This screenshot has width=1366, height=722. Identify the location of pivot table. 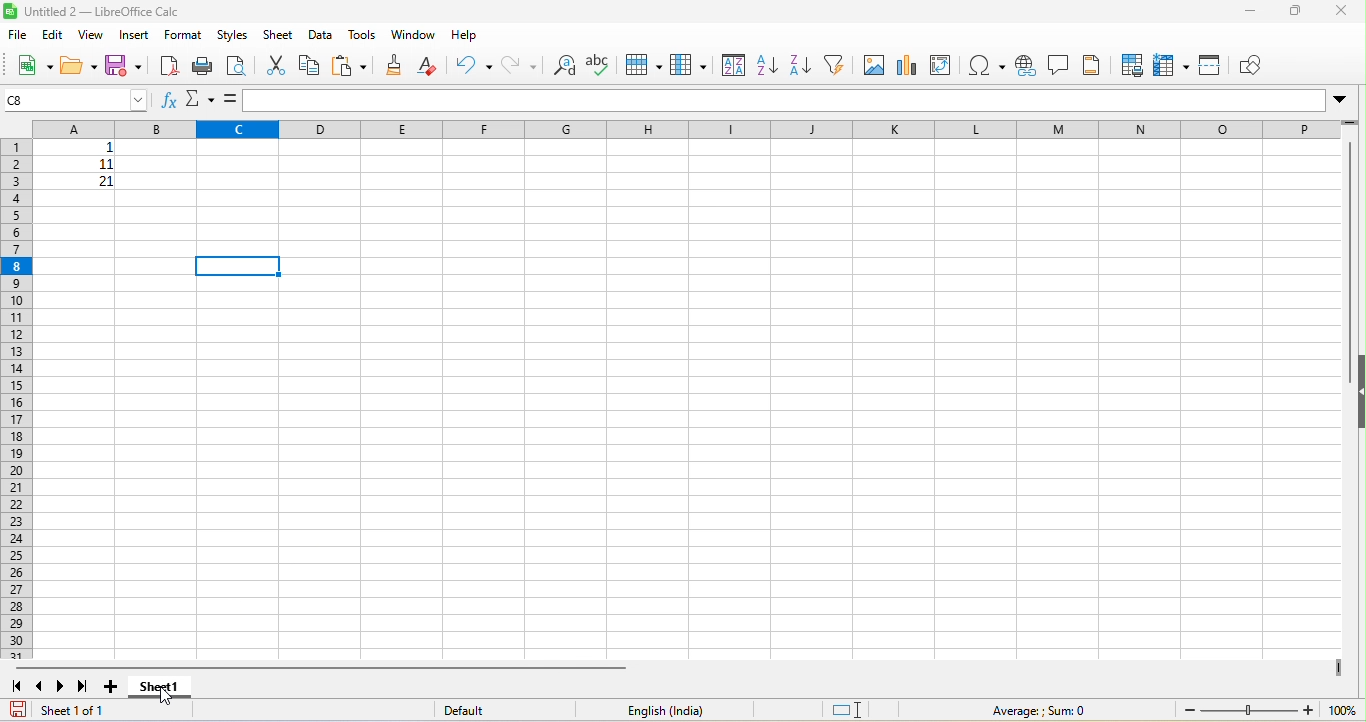
(942, 64).